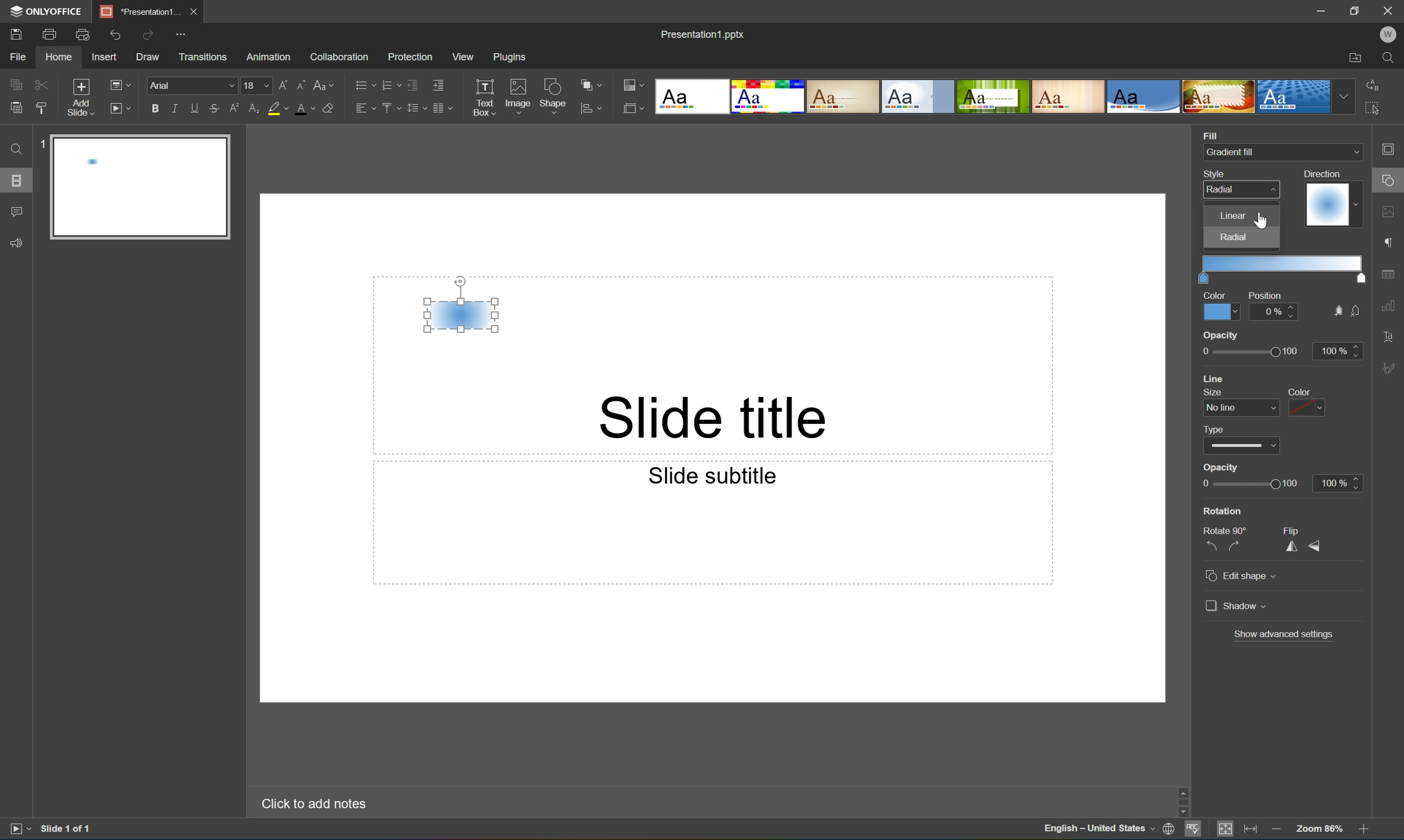 The height and width of the screenshot is (840, 1404). Describe the element at coordinates (1193, 830) in the screenshot. I see `Spell checking` at that location.